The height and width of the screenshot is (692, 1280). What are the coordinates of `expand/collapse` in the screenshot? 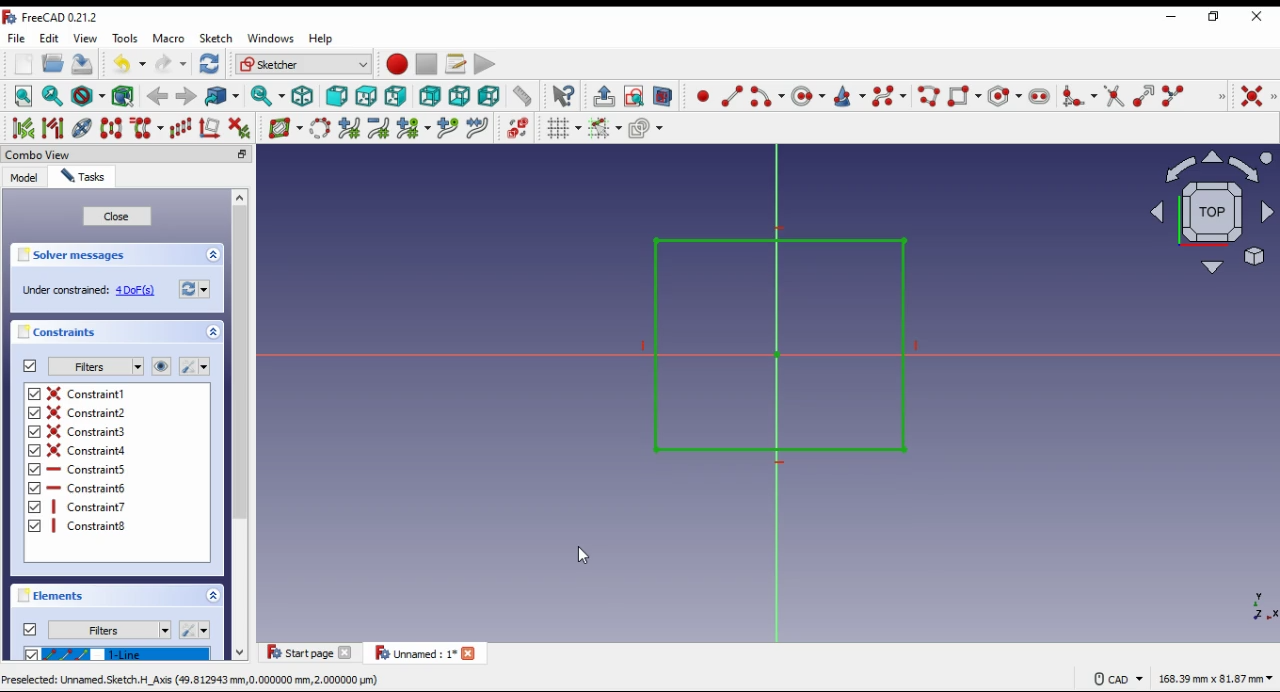 It's located at (213, 595).